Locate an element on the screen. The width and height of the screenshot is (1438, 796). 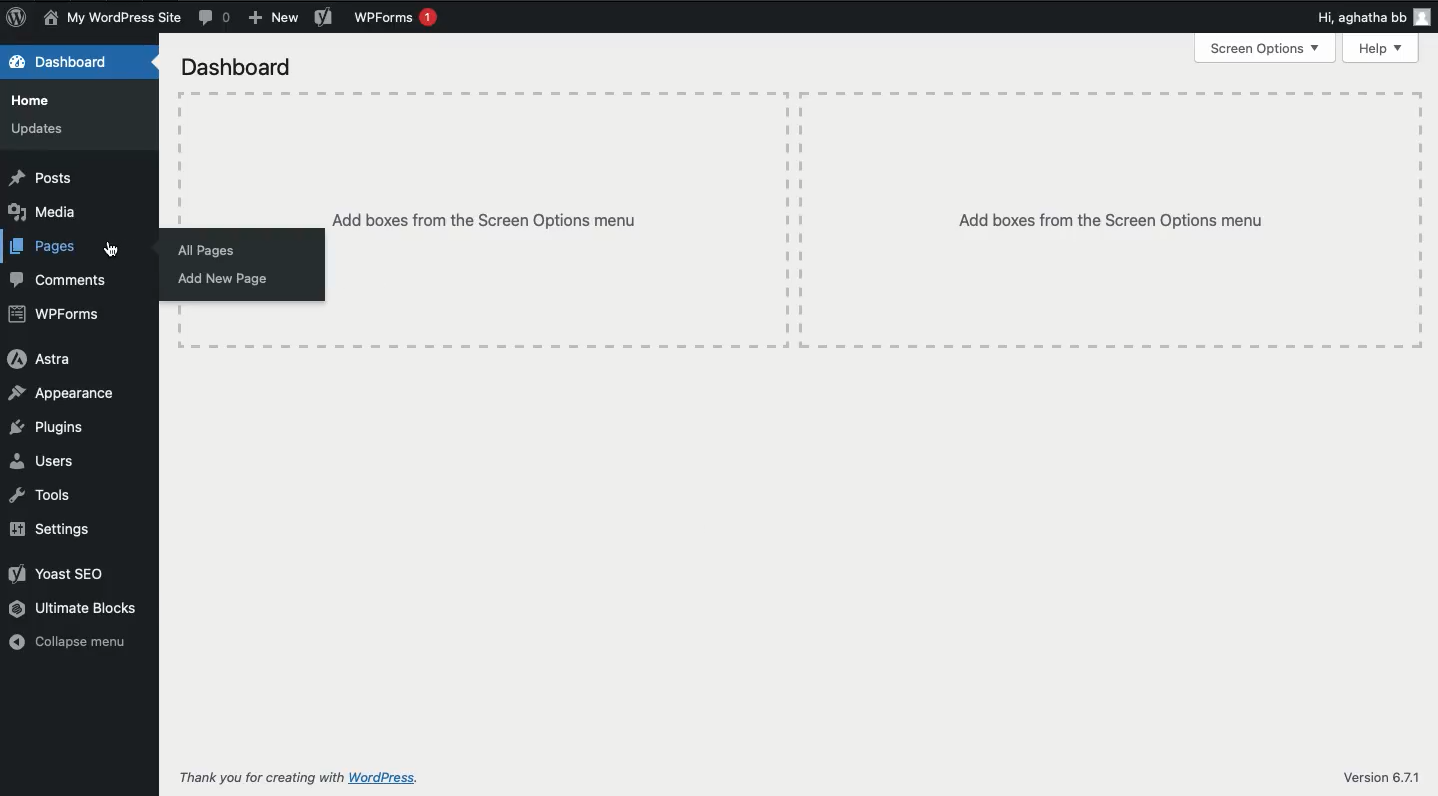
Posts is located at coordinates (42, 178).